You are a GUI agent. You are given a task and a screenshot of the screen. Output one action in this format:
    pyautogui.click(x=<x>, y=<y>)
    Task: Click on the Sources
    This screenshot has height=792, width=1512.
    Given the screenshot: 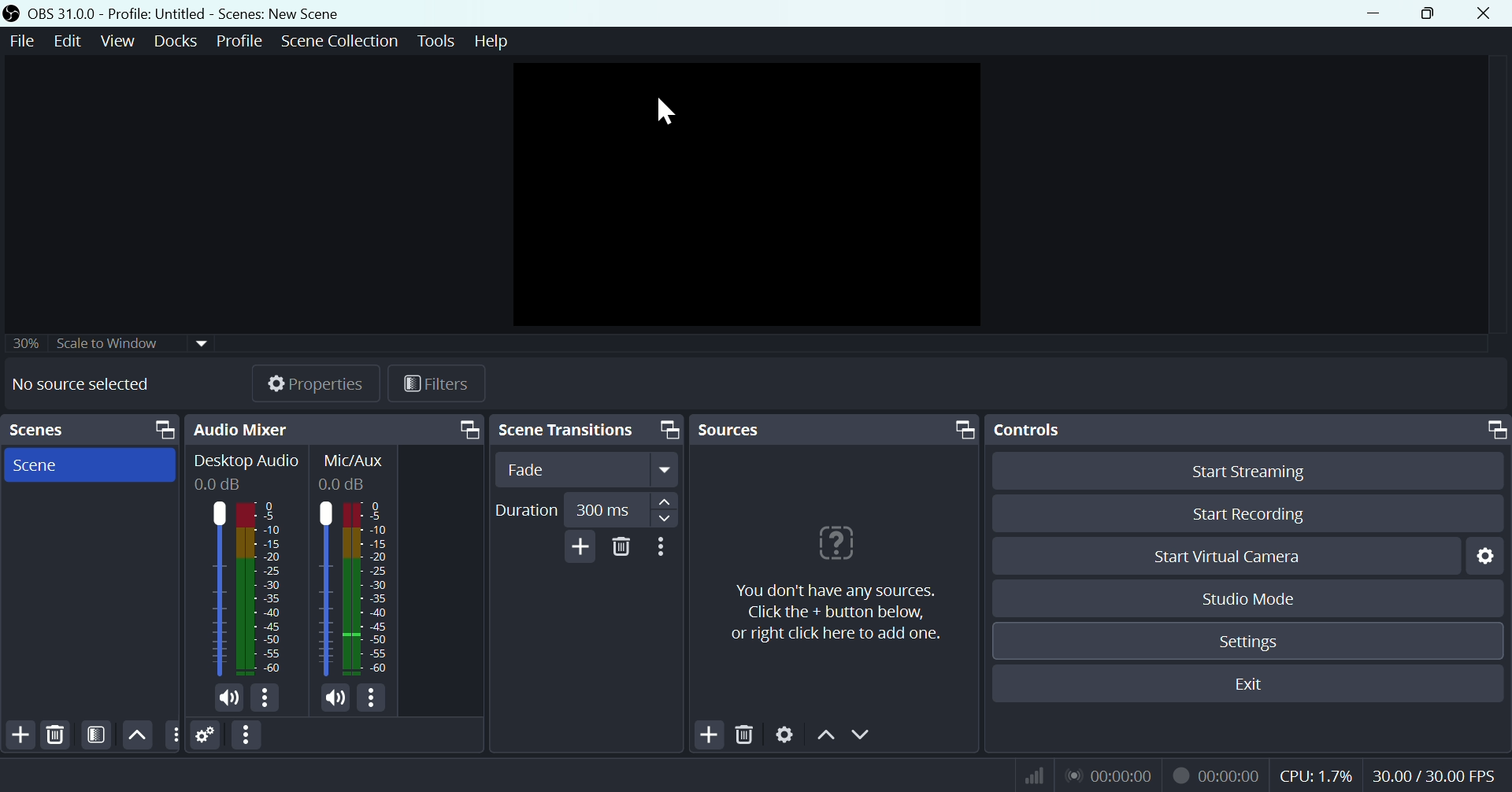 What is the action you would take?
    pyautogui.click(x=839, y=427)
    